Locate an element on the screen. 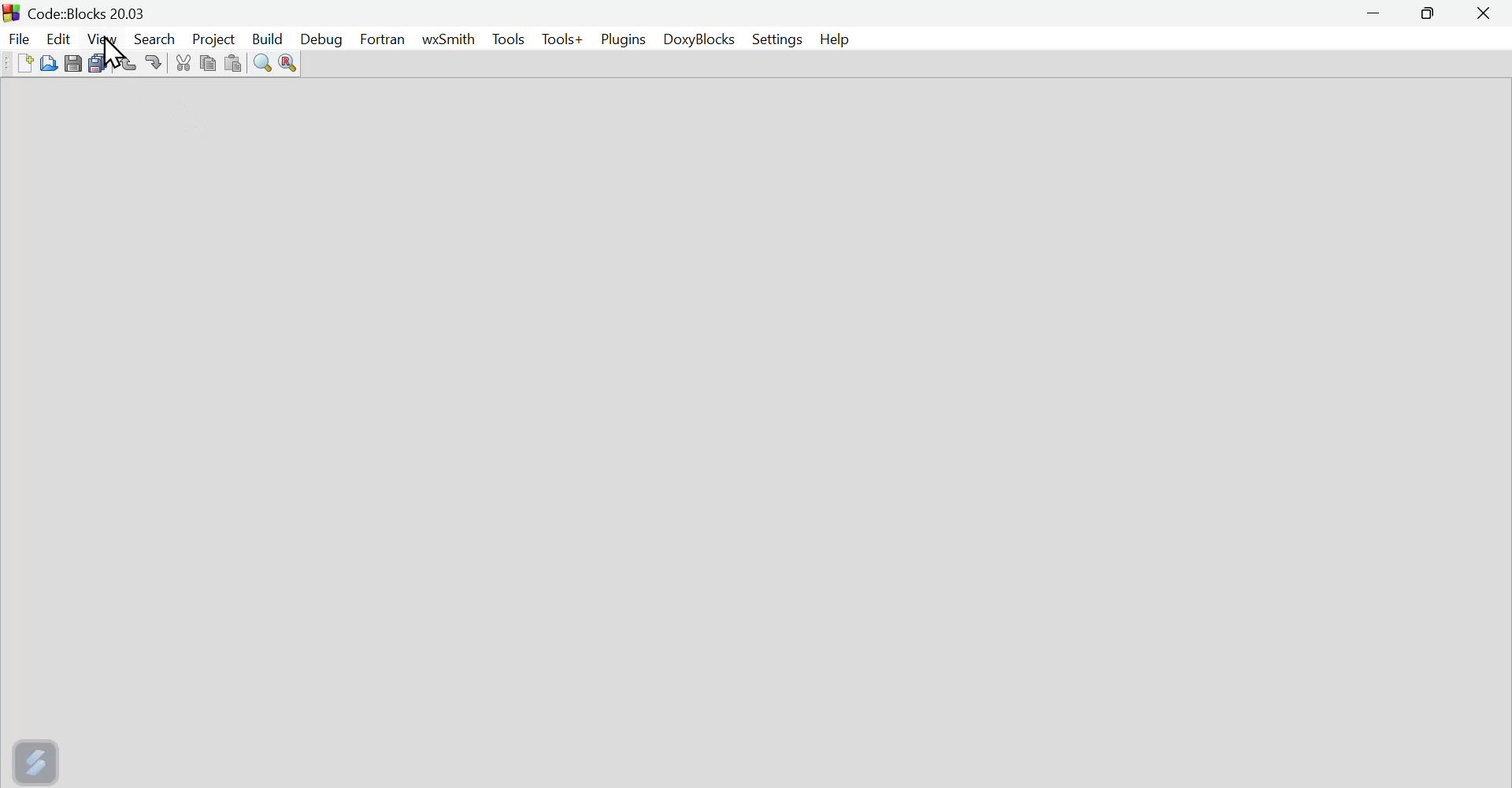  Help is located at coordinates (838, 39).